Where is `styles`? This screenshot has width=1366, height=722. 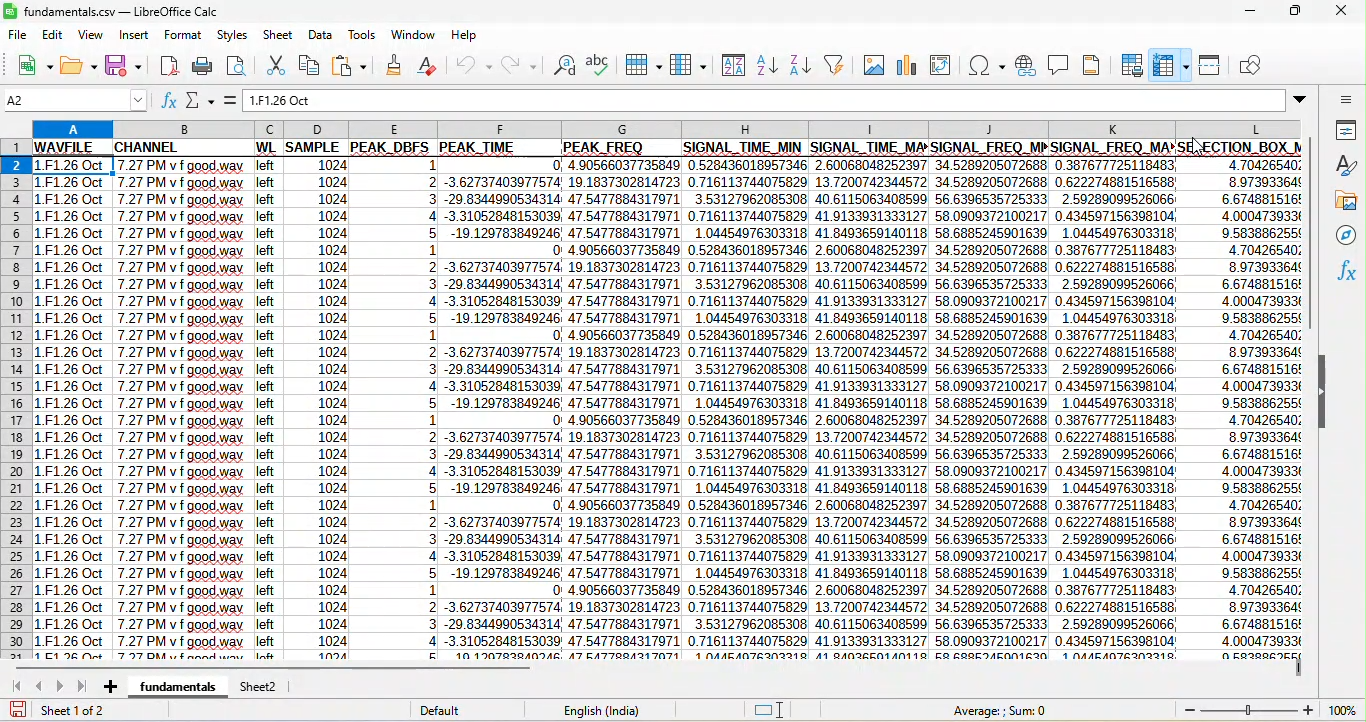
styles is located at coordinates (1343, 166).